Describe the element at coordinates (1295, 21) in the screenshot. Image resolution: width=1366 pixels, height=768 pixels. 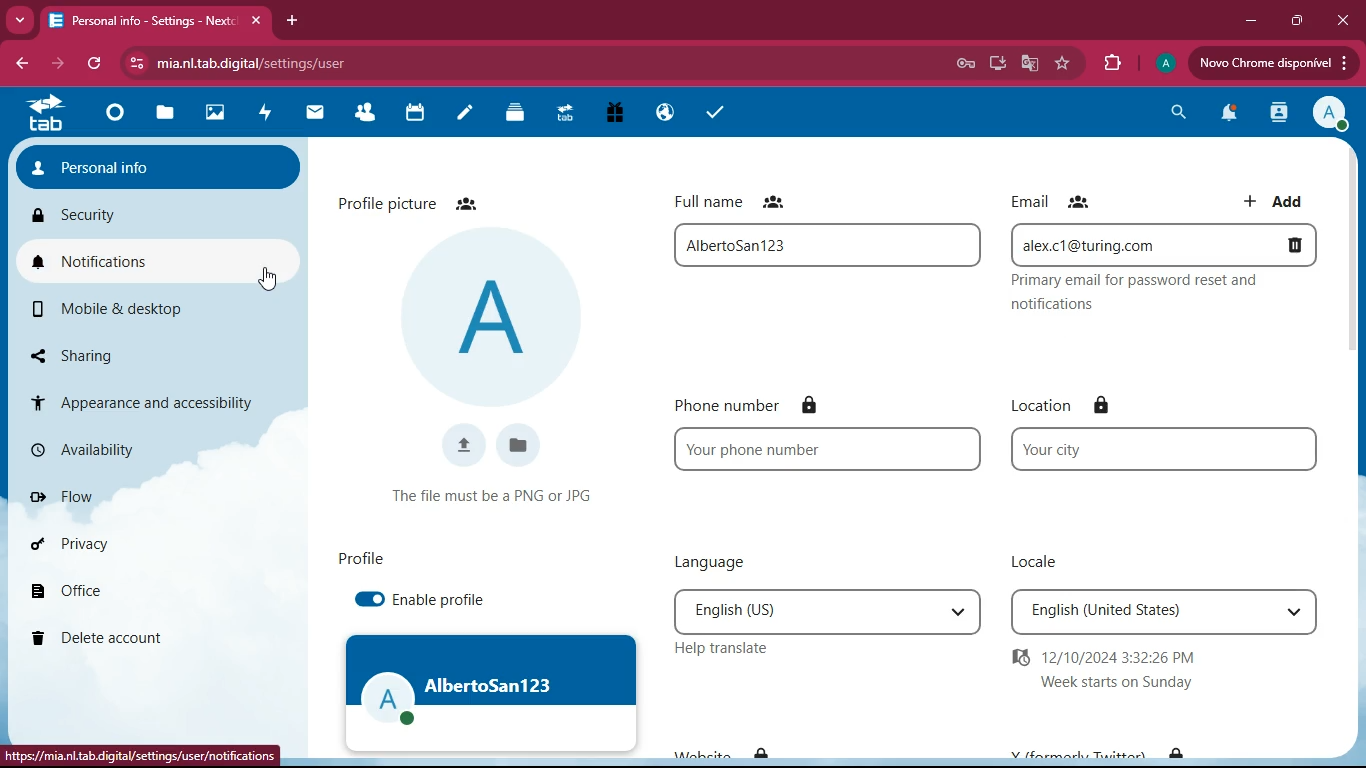
I see `maximize` at that location.